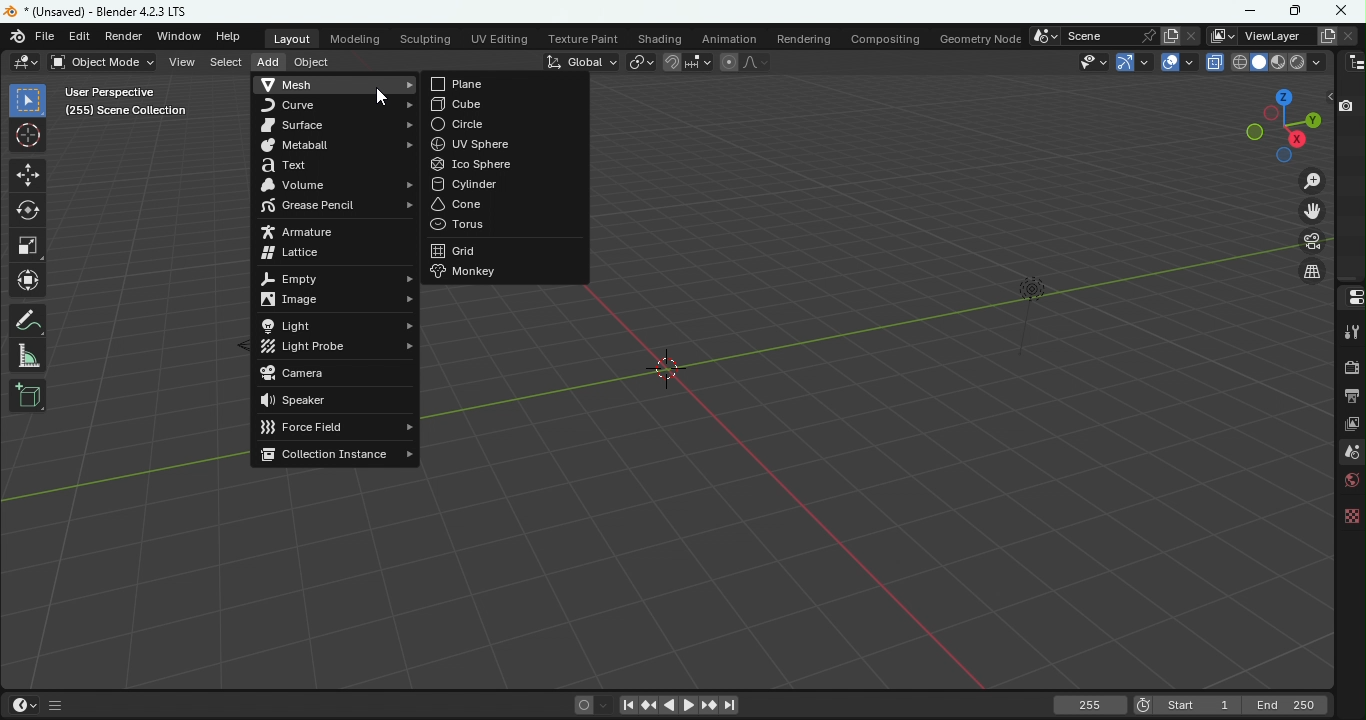 This screenshot has width=1366, height=720. Describe the element at coordinates (1168, 61) in the screenshot. I see `Show overlays` at that location.